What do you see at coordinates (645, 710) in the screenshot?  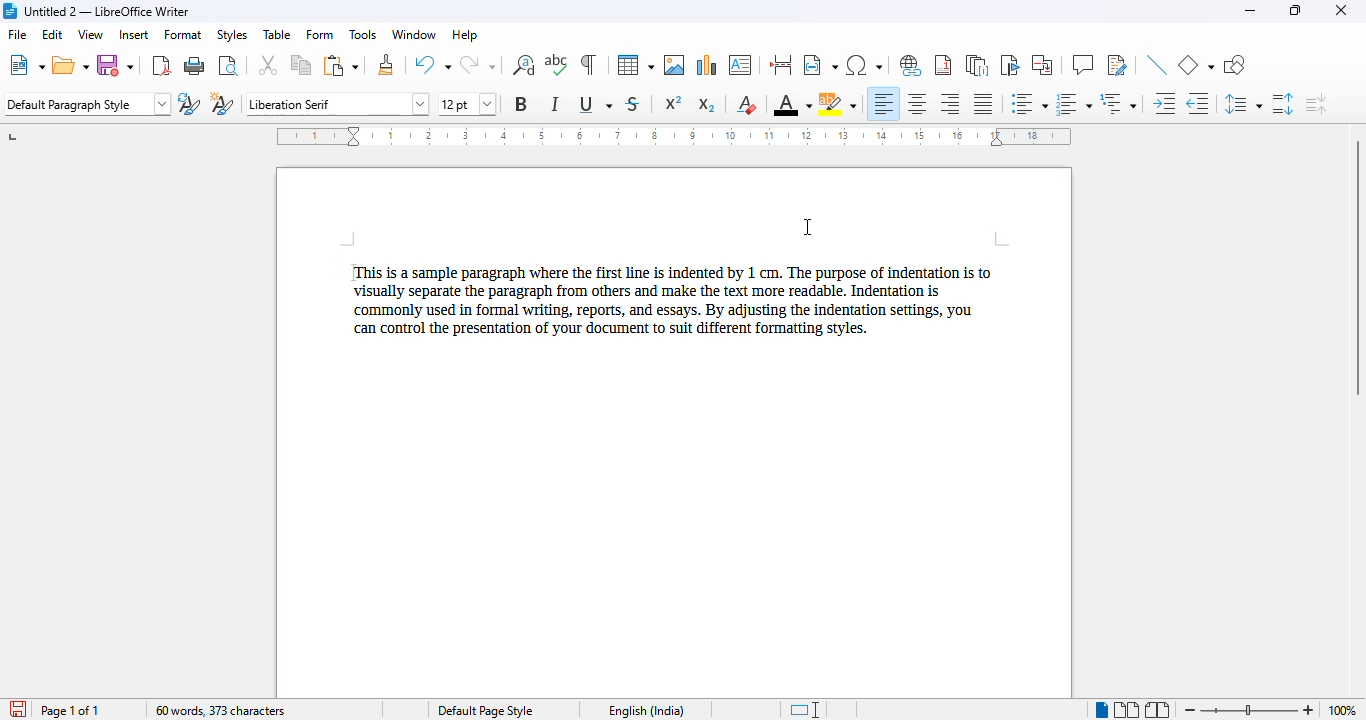 I see `text language` at bounding box center [645, 710].